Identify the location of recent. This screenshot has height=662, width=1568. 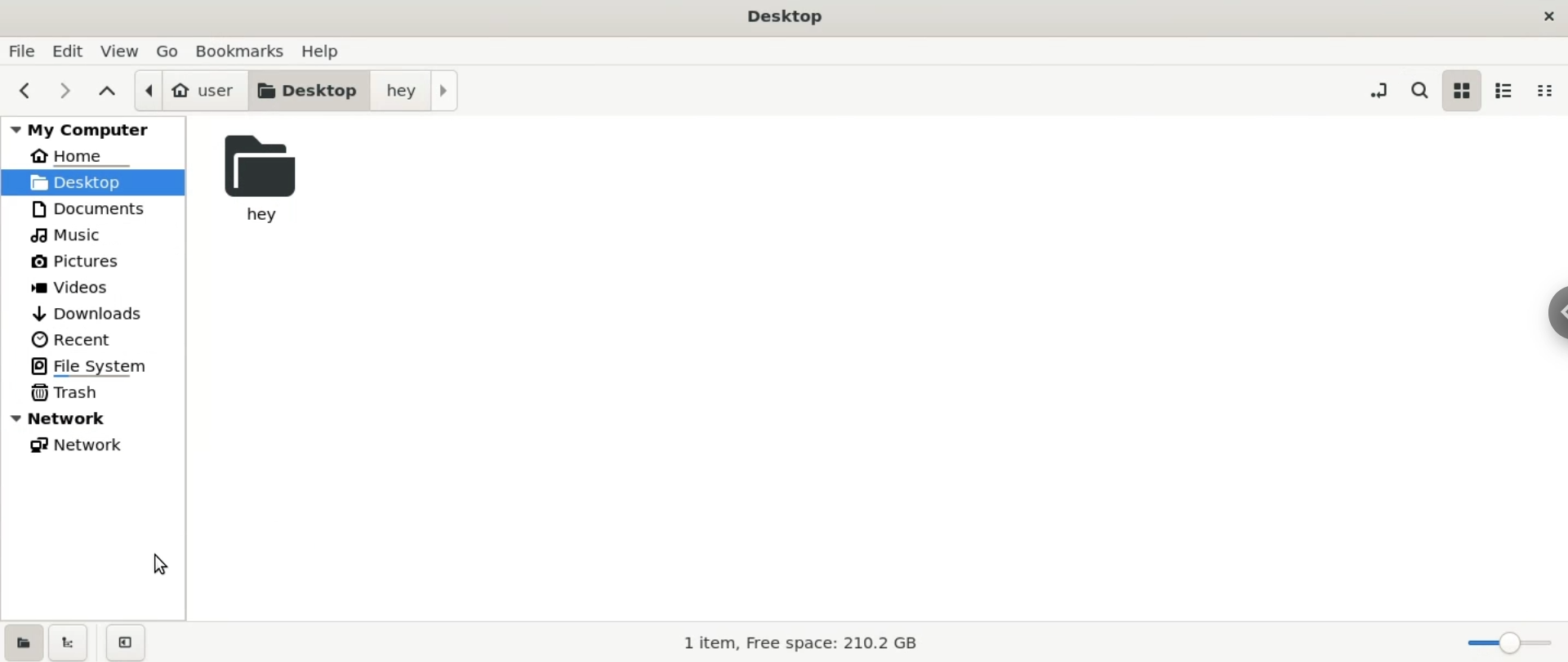
(74, 339).